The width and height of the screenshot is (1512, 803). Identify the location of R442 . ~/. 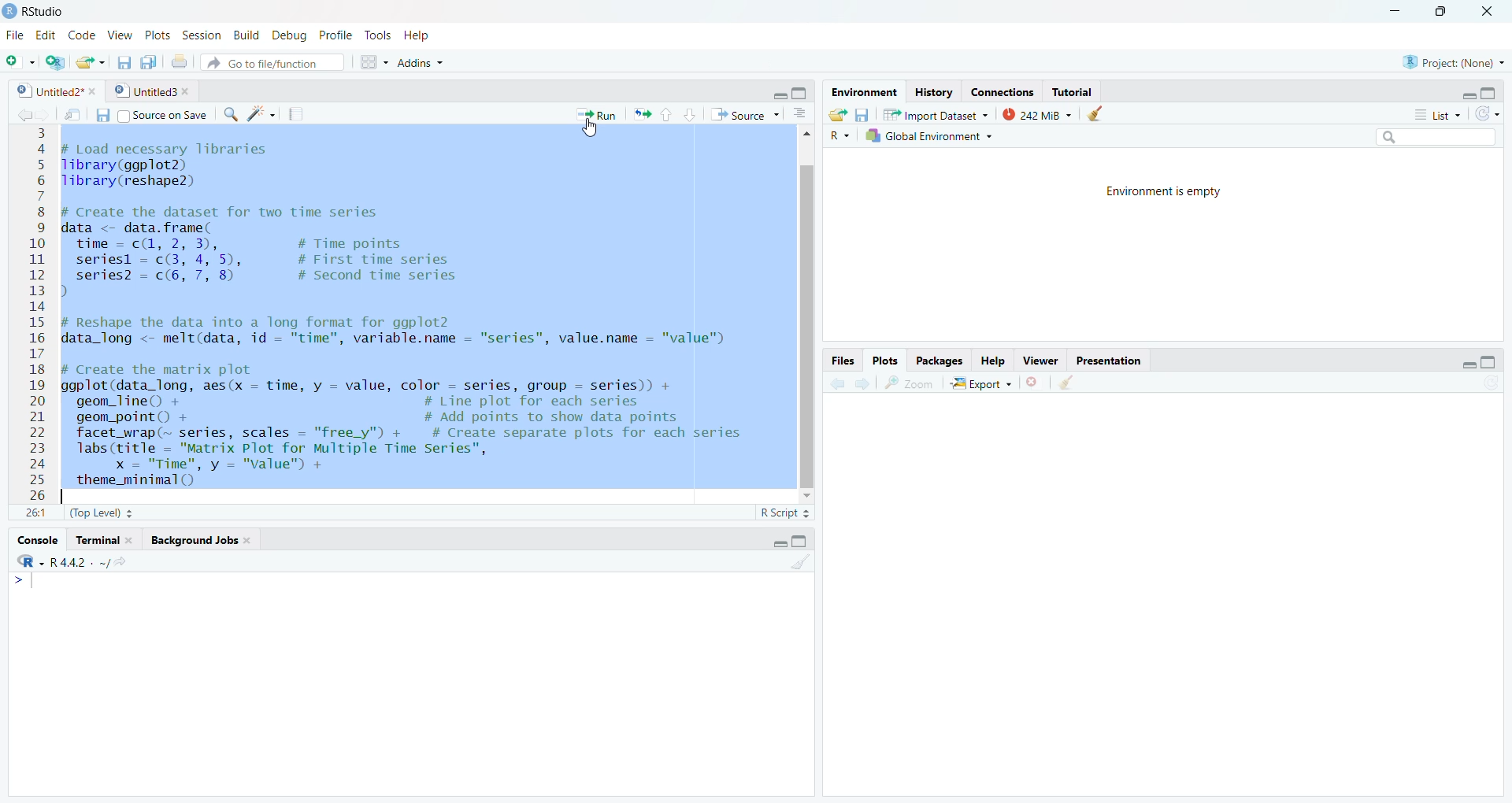
(80, 561).